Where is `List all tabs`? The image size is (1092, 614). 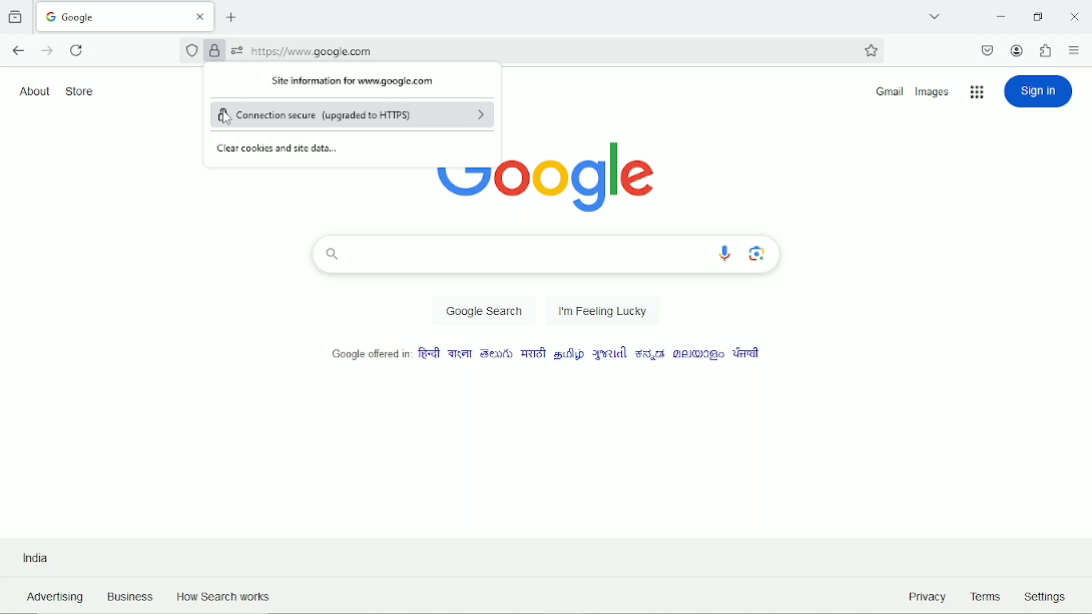 List all tabs is located at coordinates (935, 12).